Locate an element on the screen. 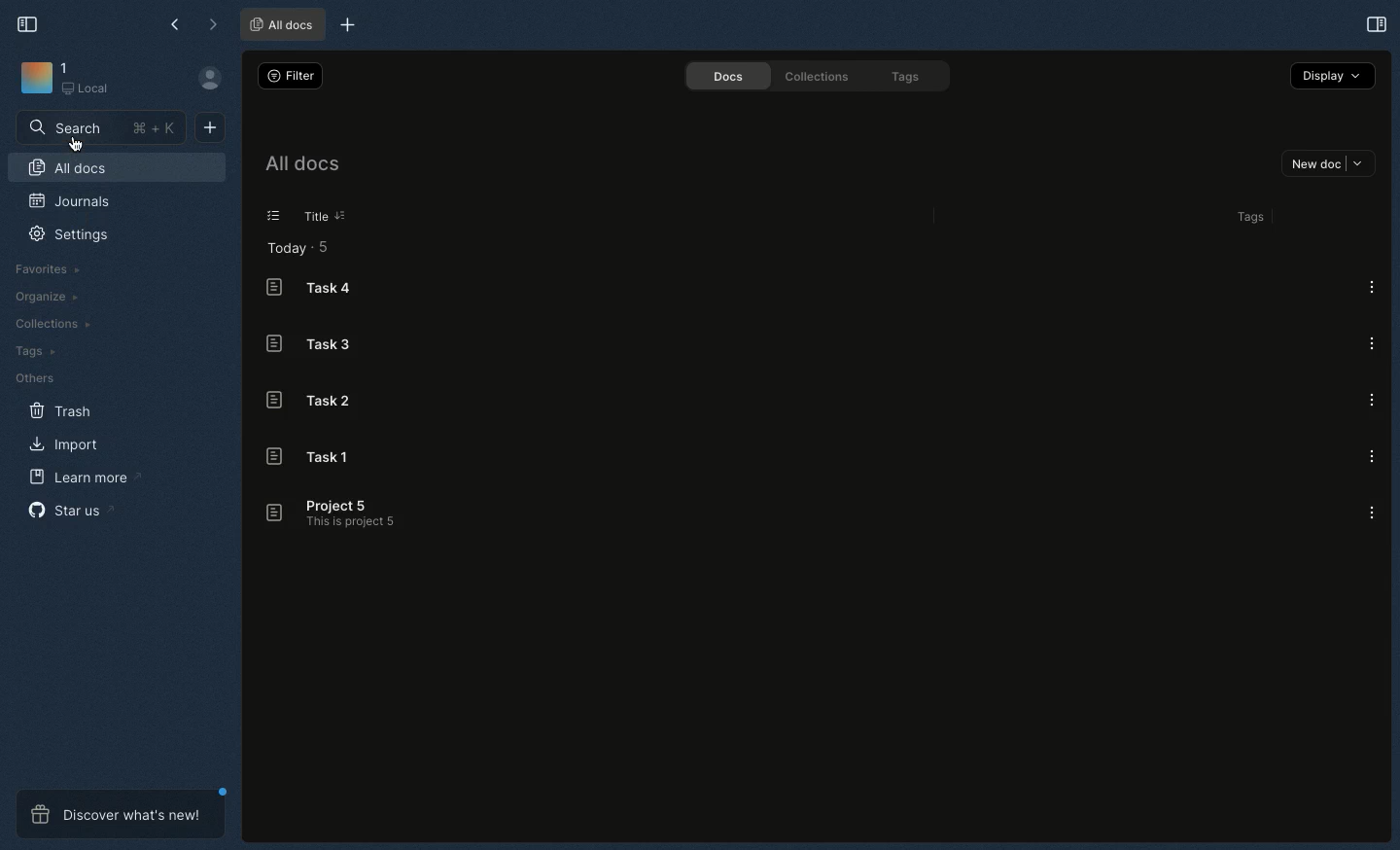  Sorting is located at coordinates (339, 216).